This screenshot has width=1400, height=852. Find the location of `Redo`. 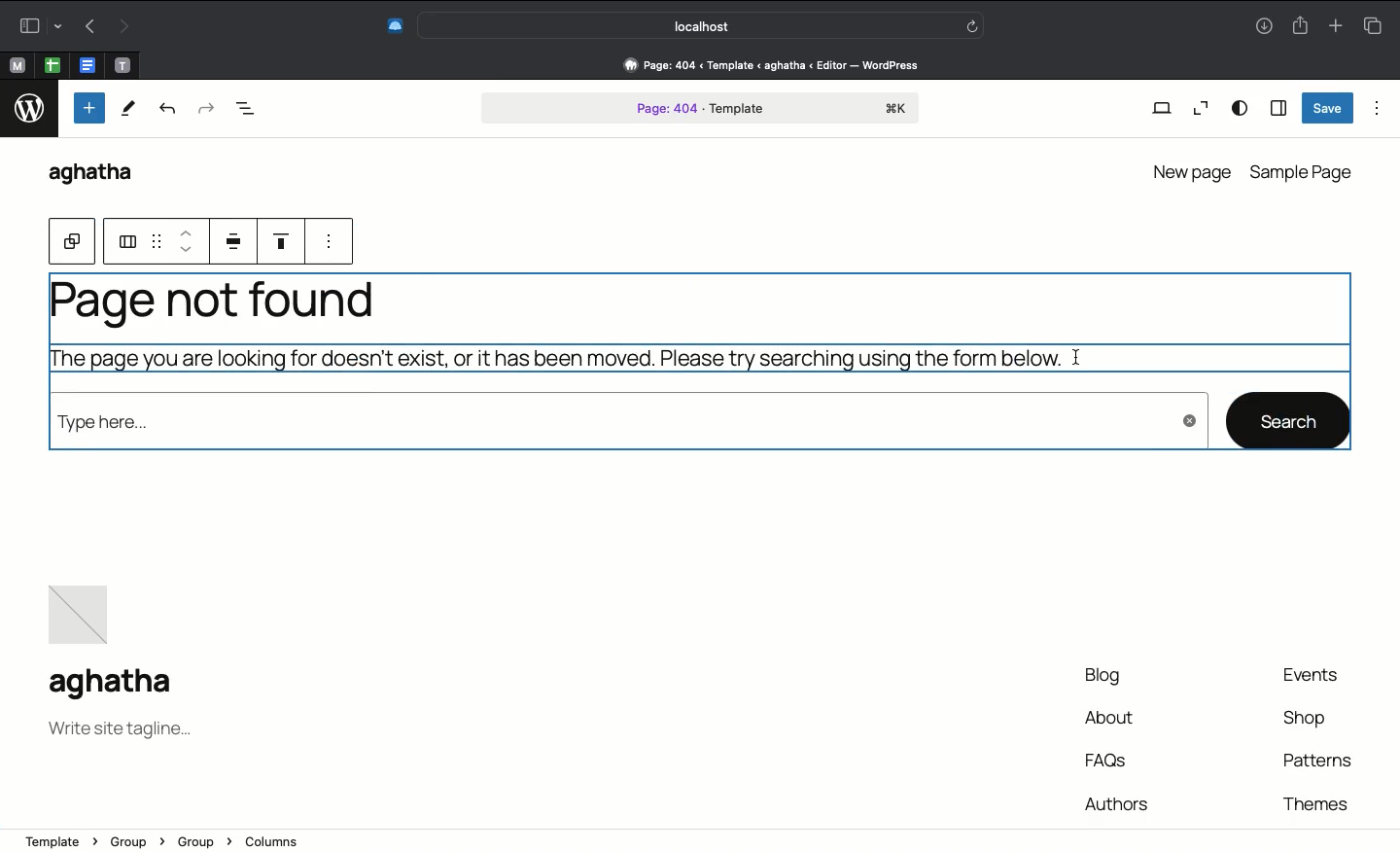

Redo is located at coordinates (205, 110).